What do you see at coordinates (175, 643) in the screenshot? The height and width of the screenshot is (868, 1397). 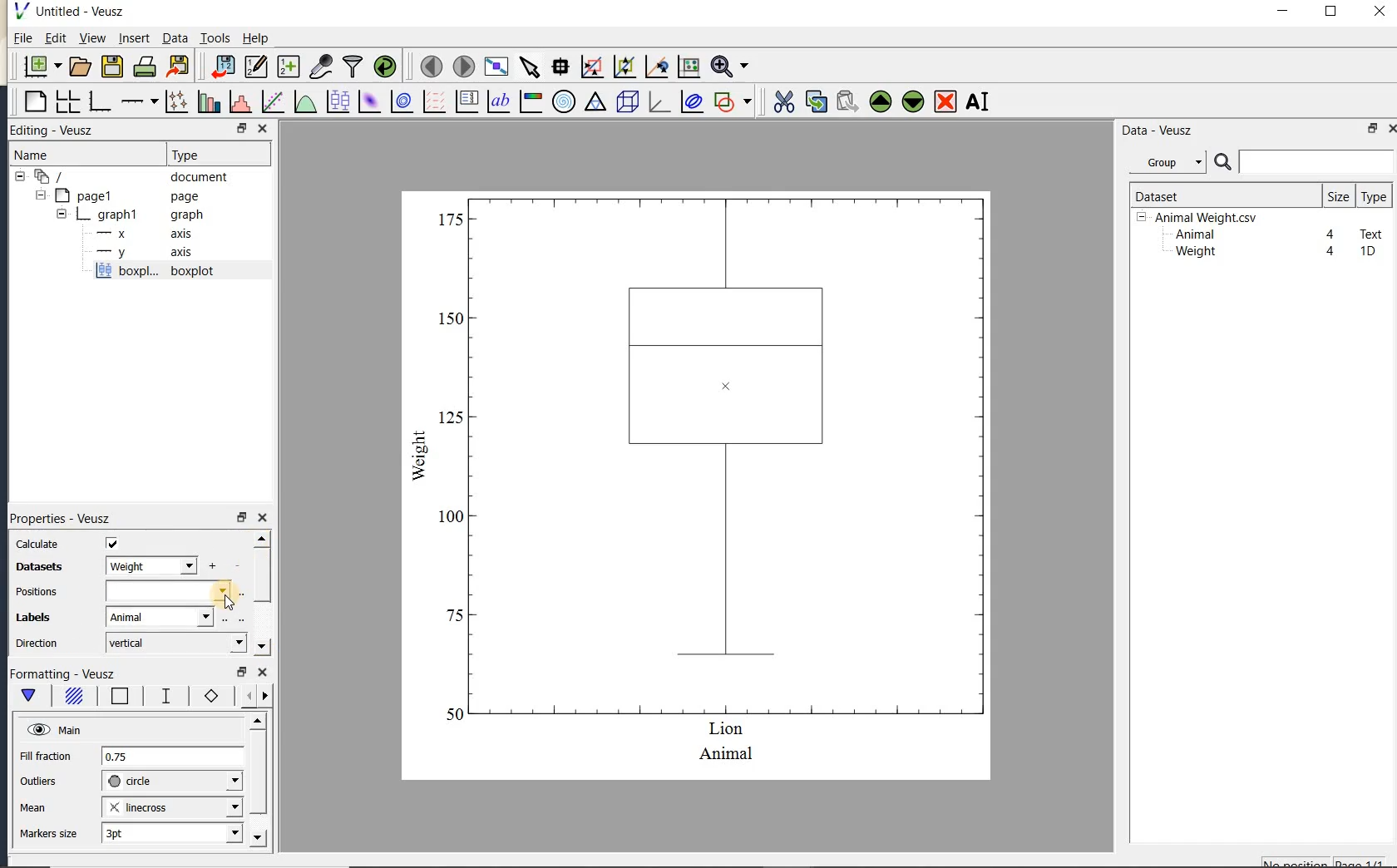 I see `vertical` at bounding box center [175, 643].